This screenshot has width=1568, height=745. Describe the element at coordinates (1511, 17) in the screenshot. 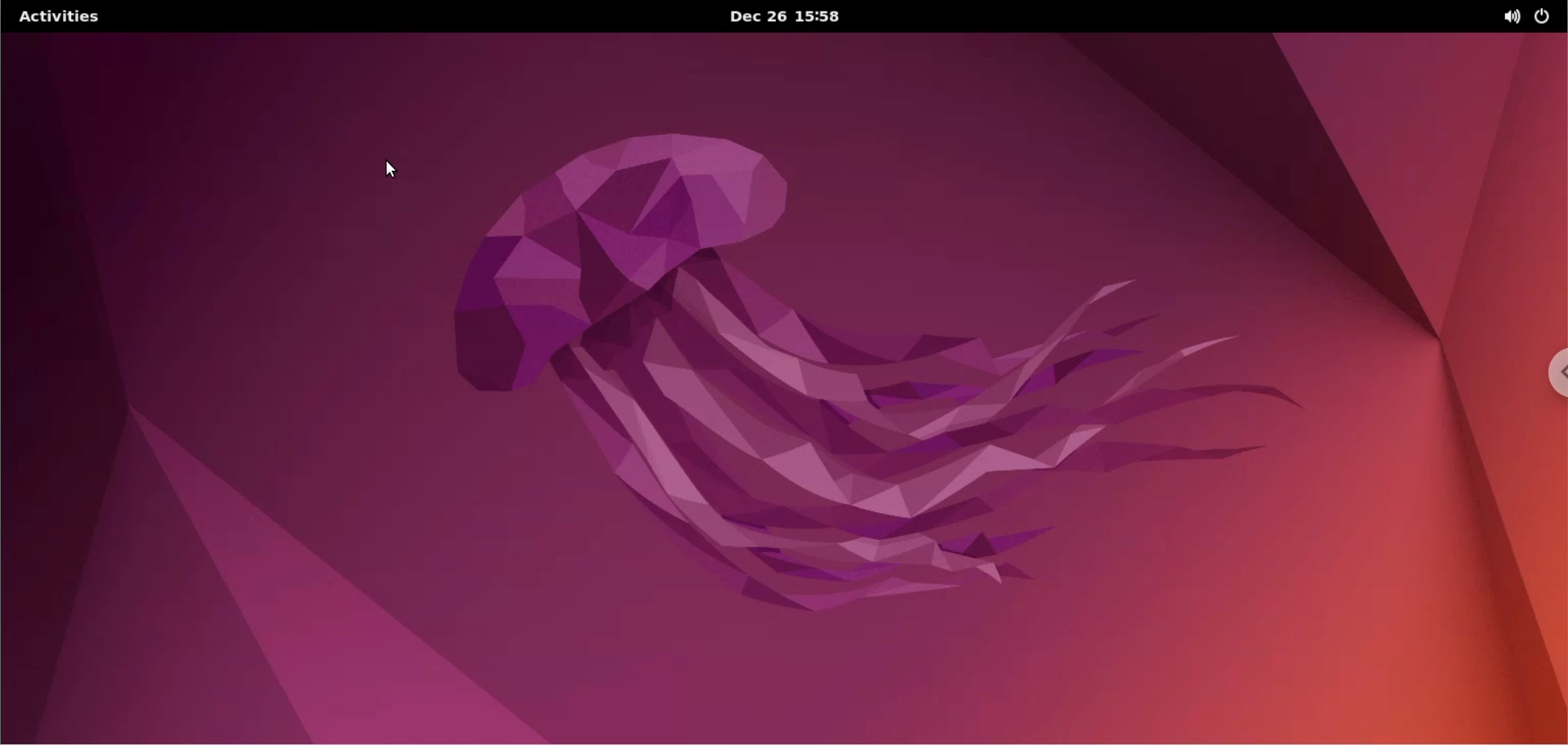

I see `sound options` at that location.